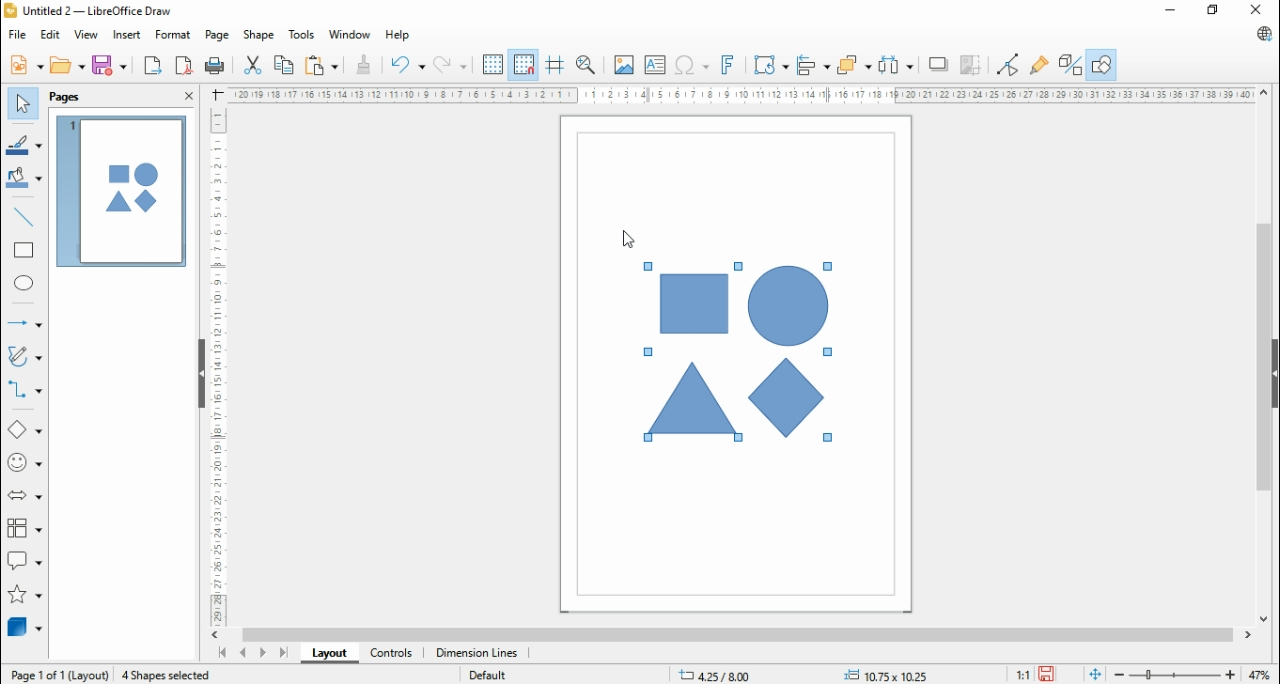  I want to click on redo, so click(452, 65).